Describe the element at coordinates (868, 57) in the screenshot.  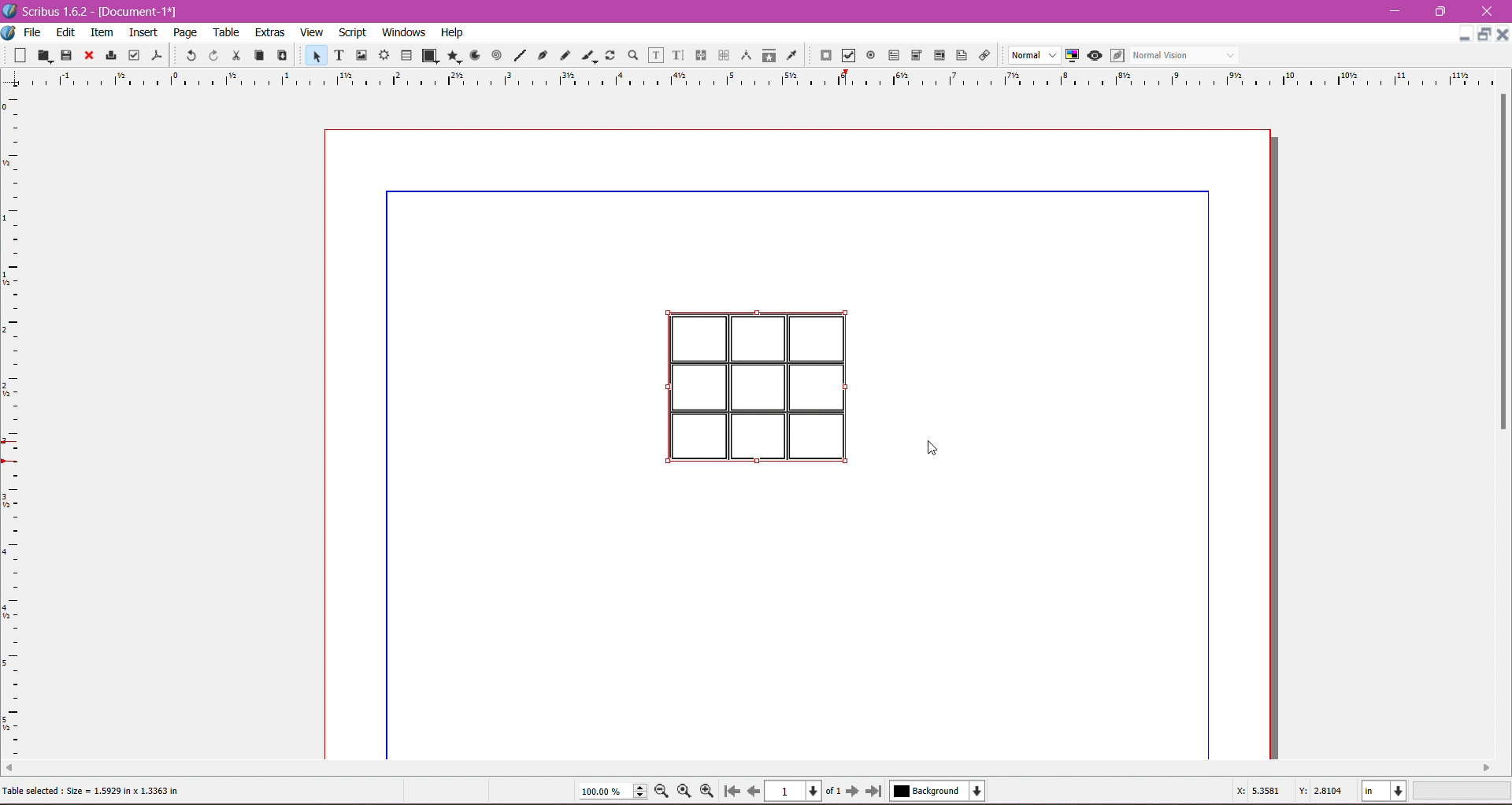
I see `PDF Radio Button` at that location.